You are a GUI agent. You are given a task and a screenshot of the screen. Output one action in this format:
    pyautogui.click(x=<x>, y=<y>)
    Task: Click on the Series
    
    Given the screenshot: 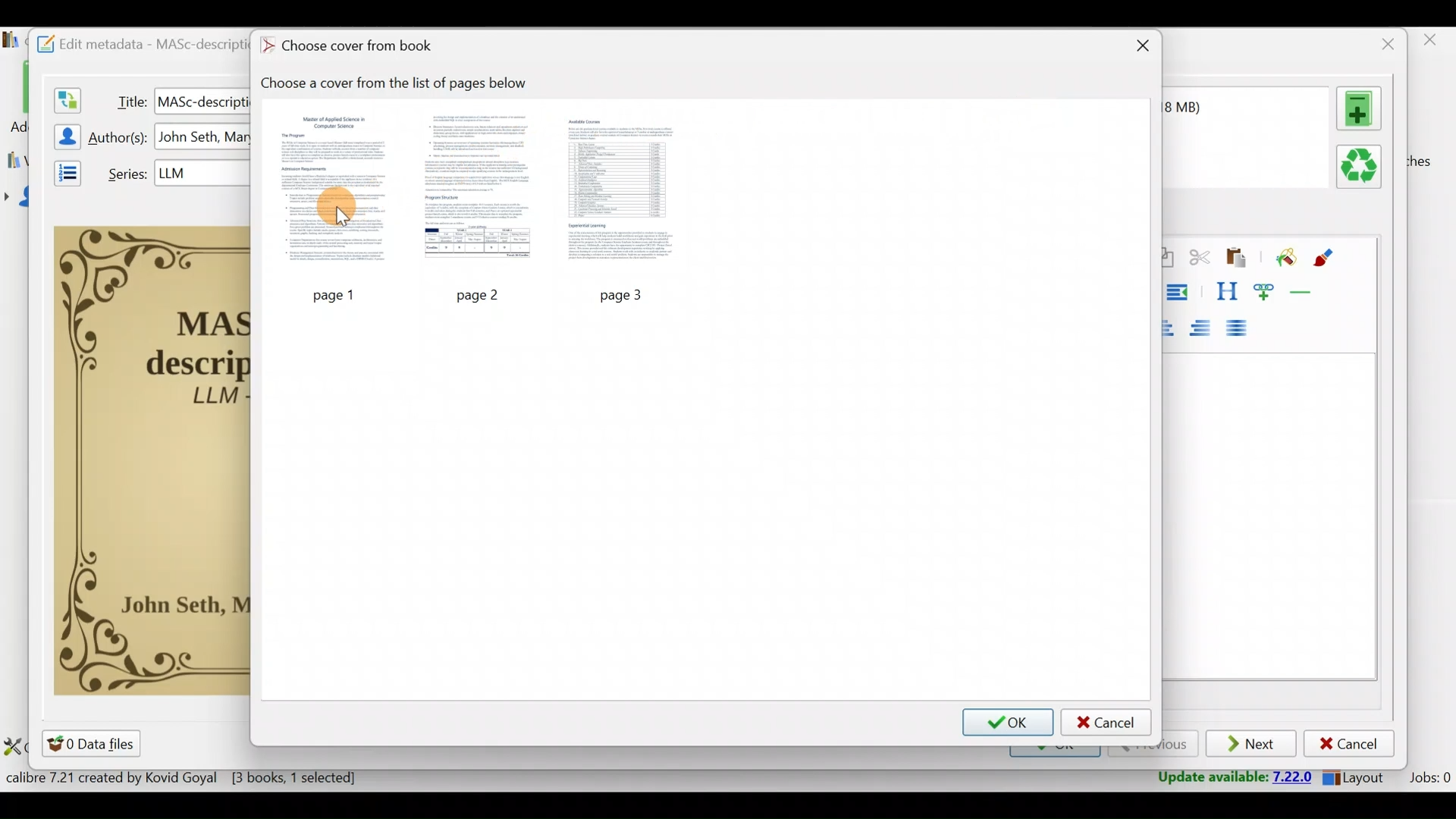 What is the action you would take?
    pyautogui.click(x=124, y=172)
    